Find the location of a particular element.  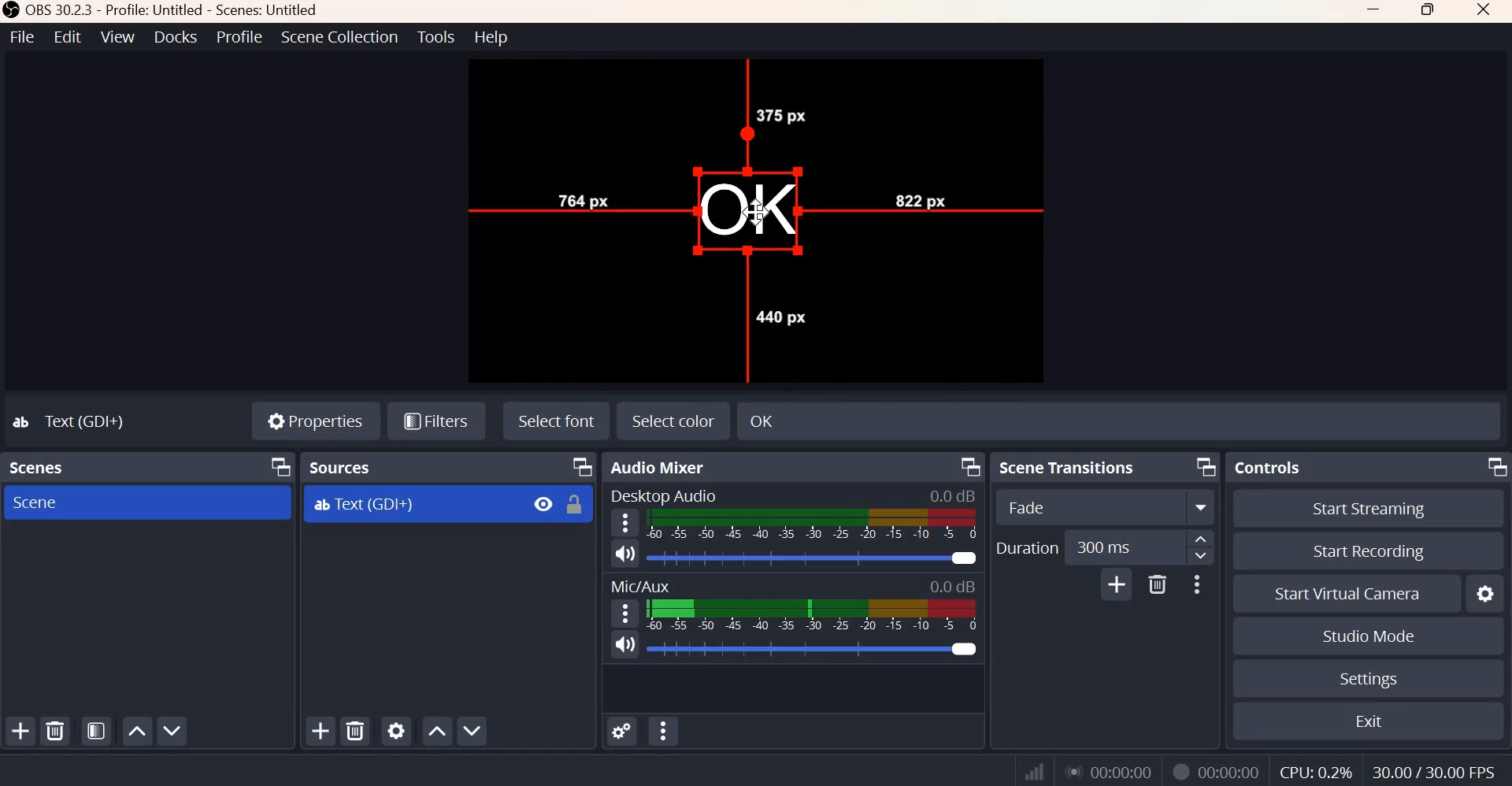

Dock Options icon is located at coordinates (277, 466).